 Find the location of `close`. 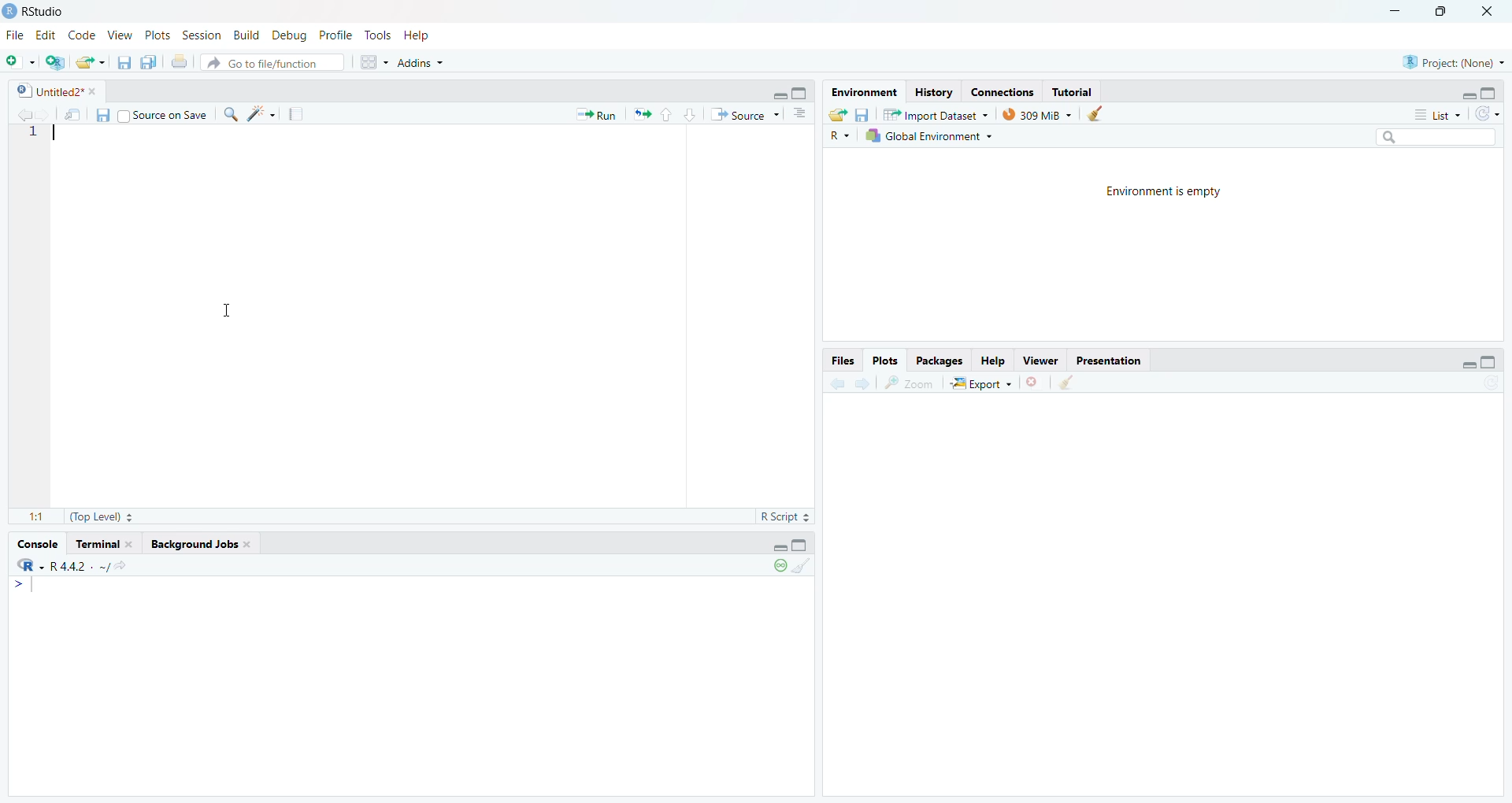

close is located at coordinates (1029, 386).